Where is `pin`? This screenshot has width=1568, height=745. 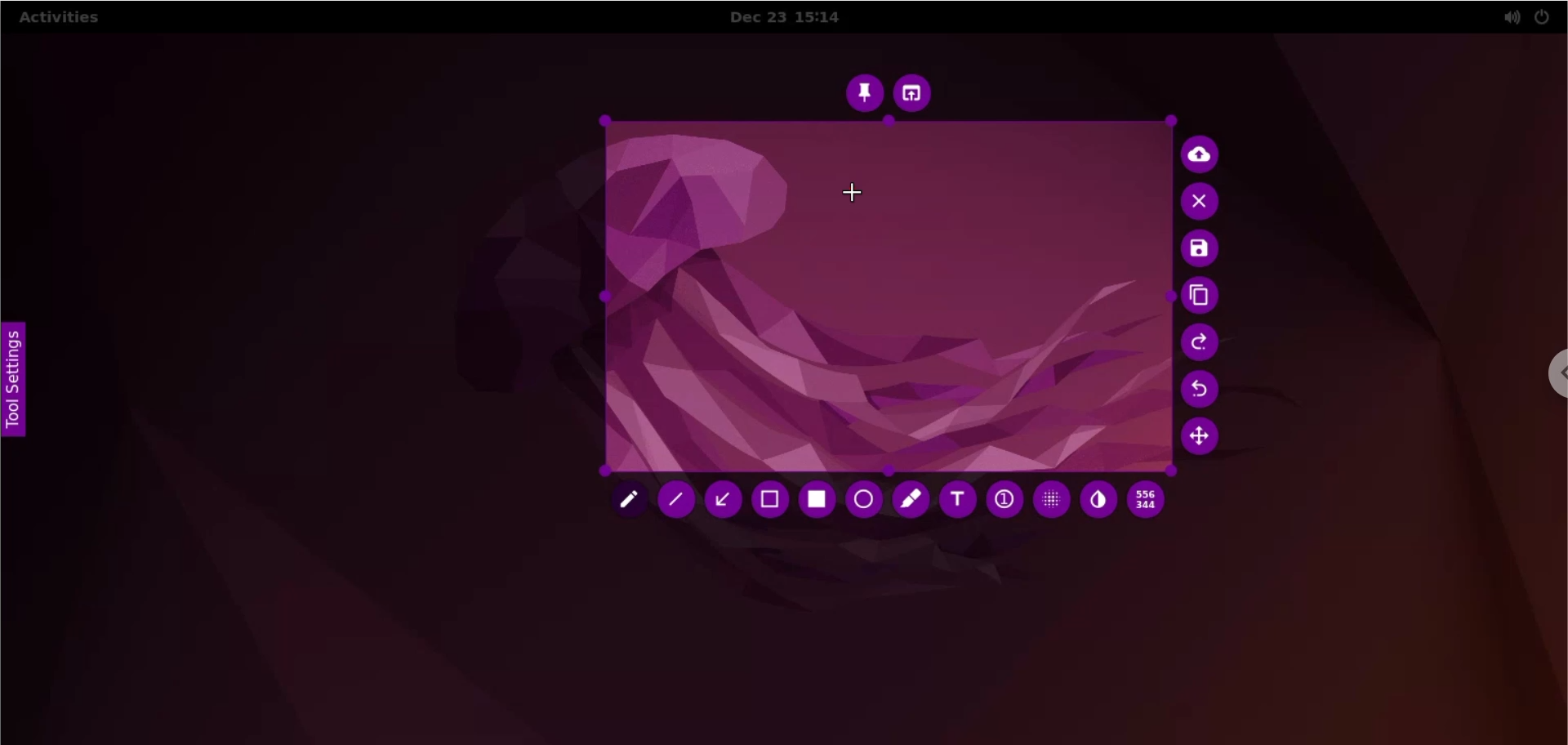 pin is located at coordinates (863, 93).